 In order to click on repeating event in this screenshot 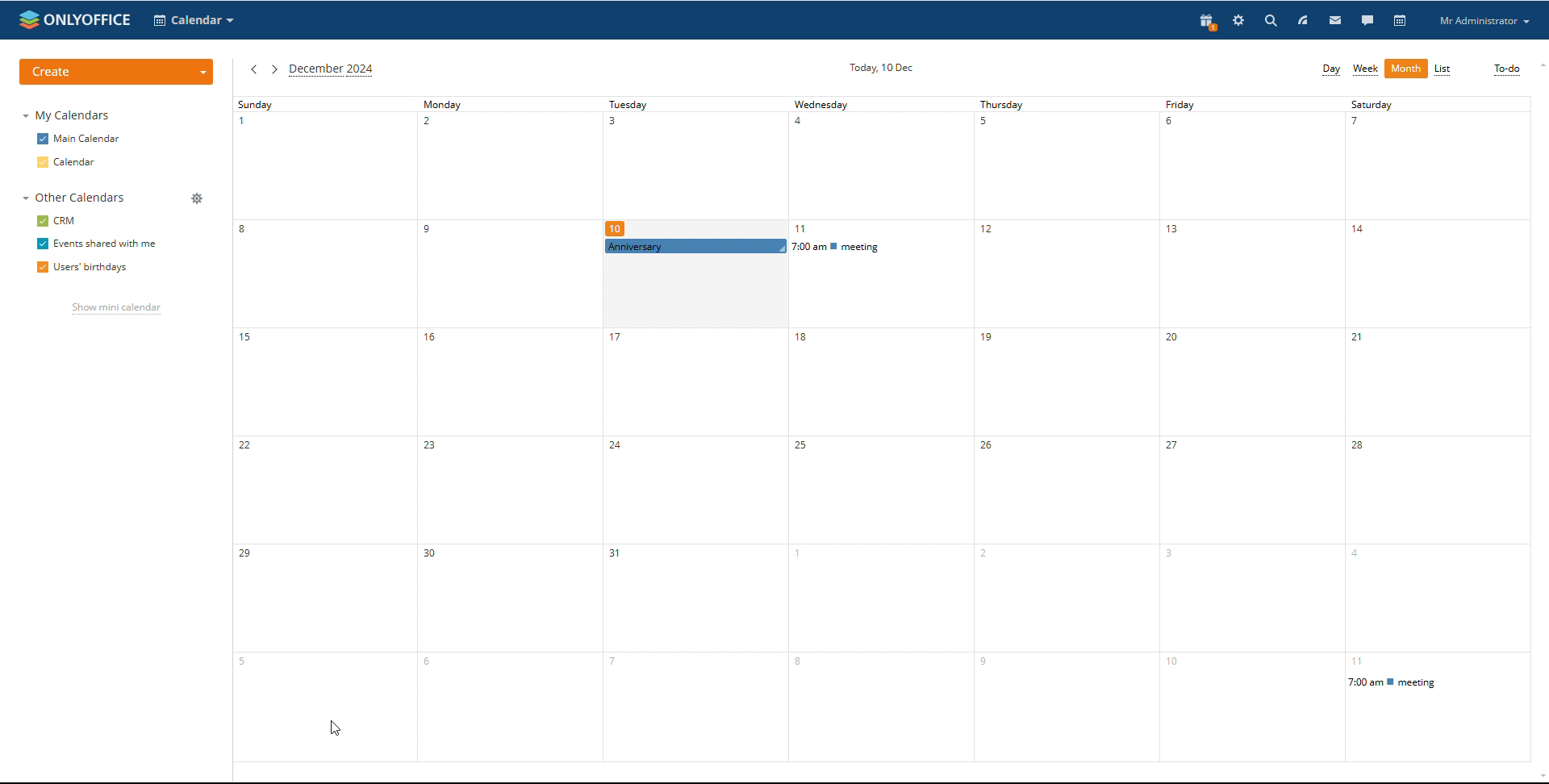, I will do `click(1437, 682)`.